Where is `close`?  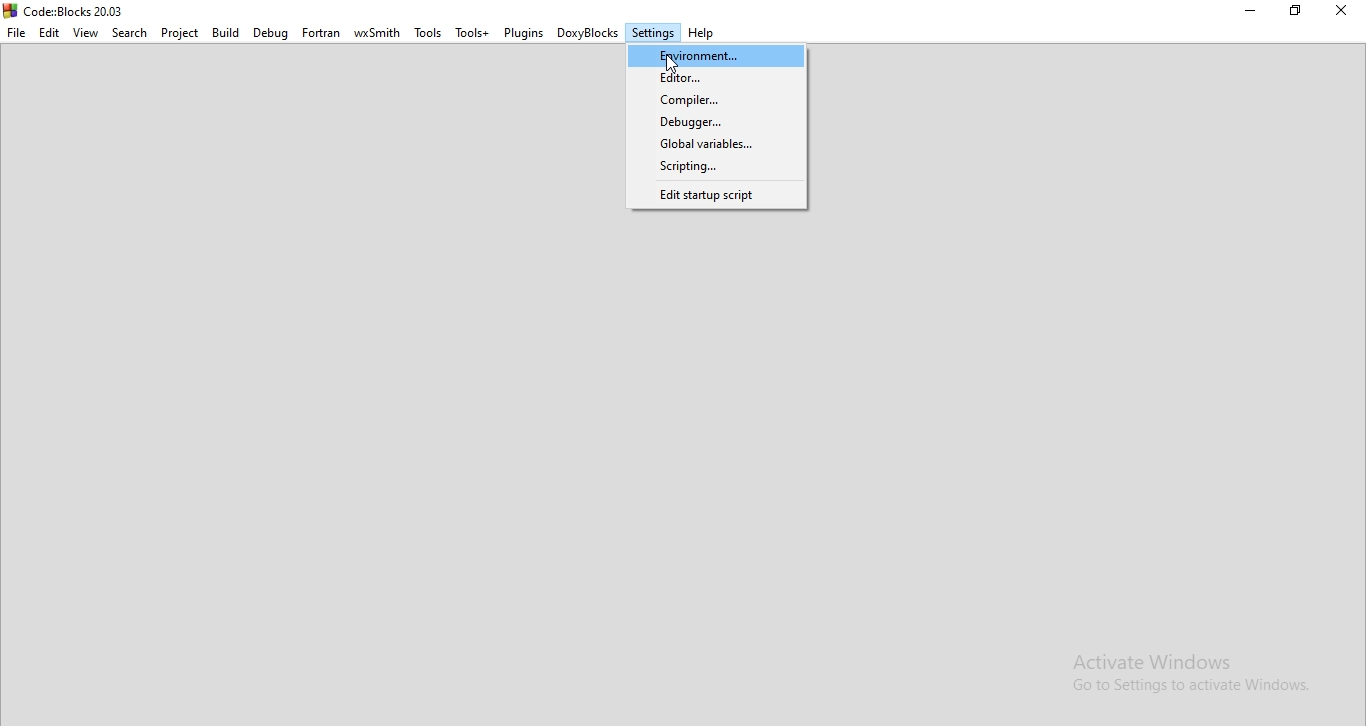 close is located at coordinates (1346, 15).